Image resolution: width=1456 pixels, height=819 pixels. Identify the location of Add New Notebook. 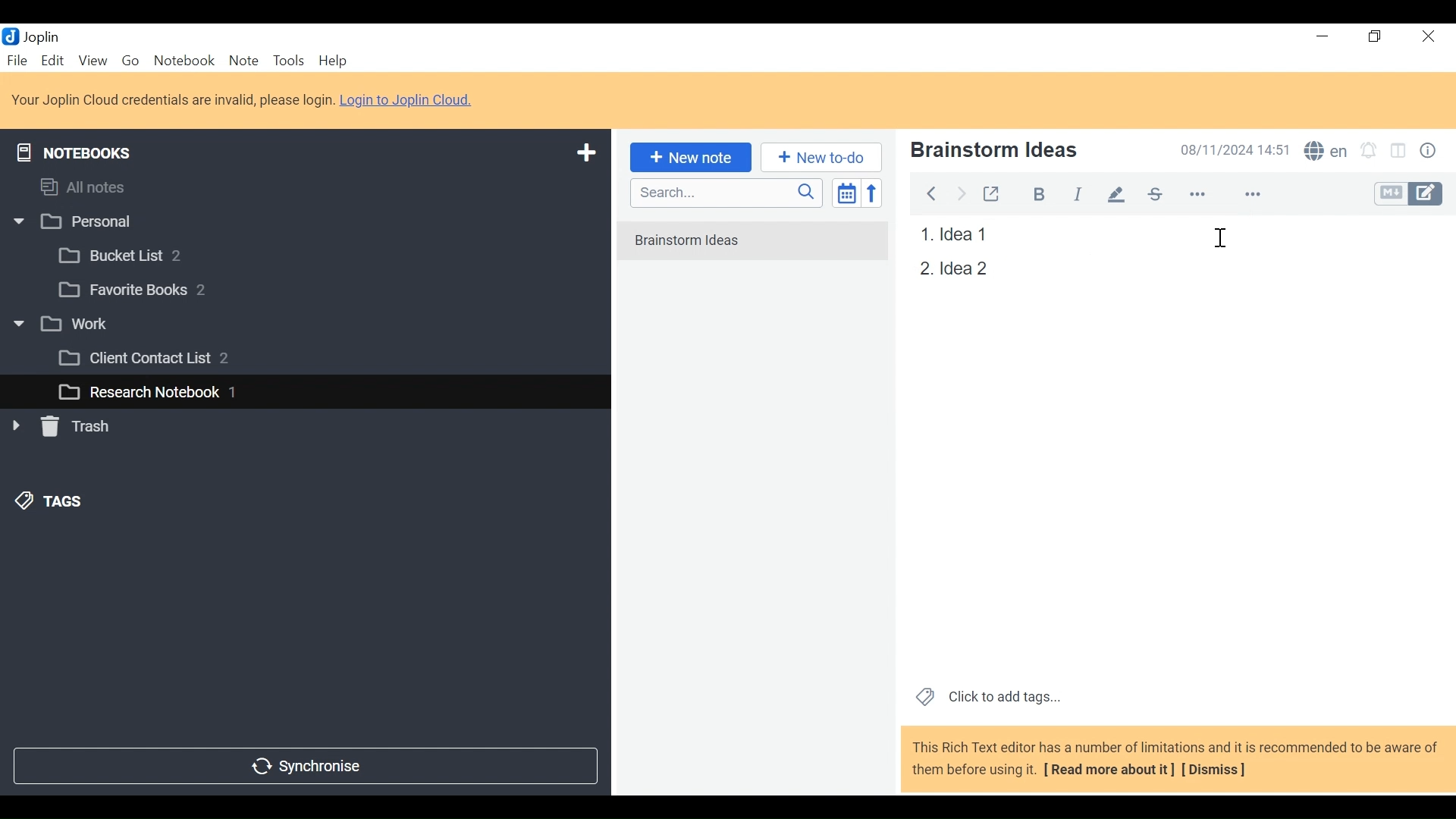
(585, 153).